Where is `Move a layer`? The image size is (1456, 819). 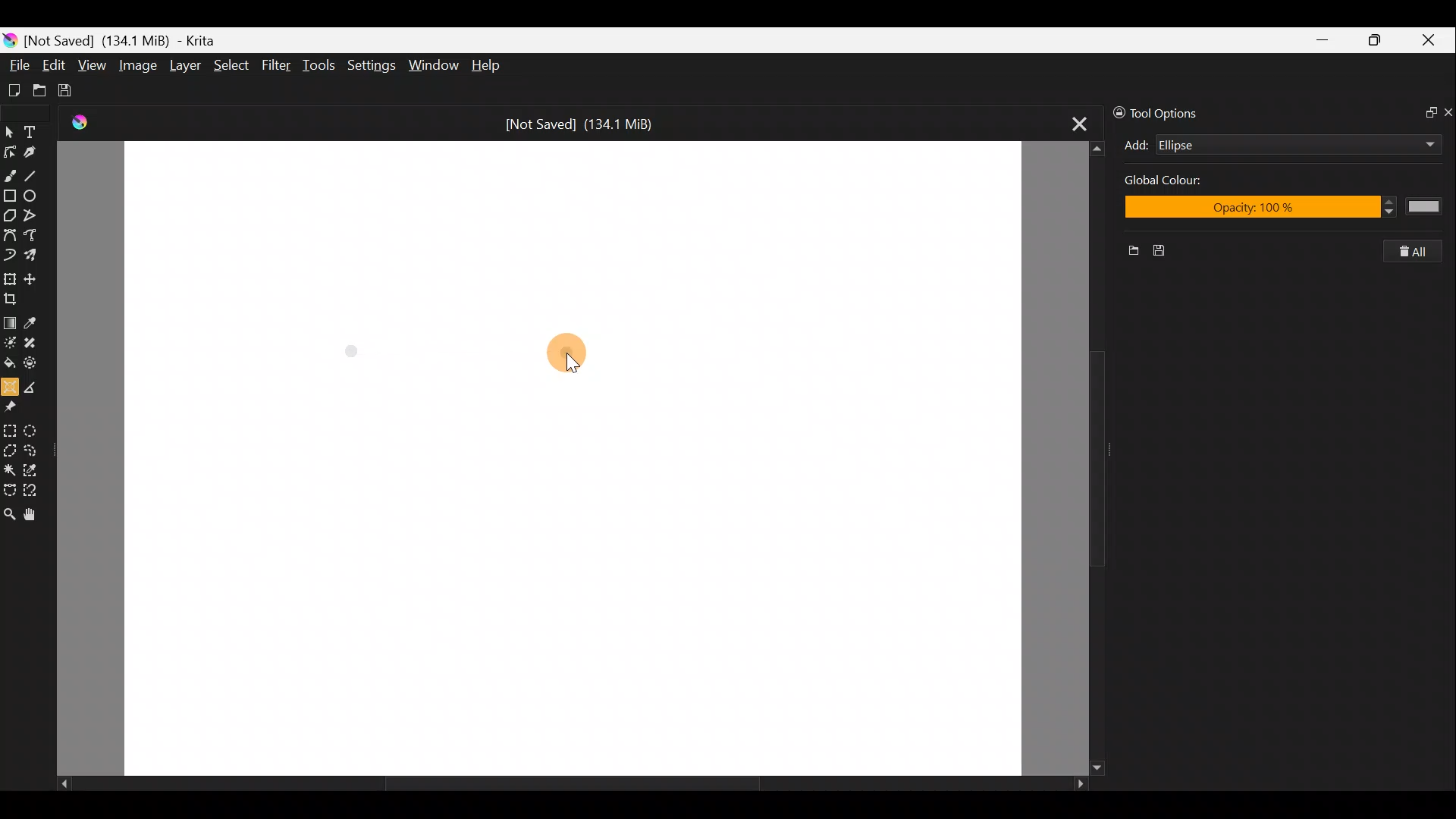 Move a layer is located at coordinates (33, 276).